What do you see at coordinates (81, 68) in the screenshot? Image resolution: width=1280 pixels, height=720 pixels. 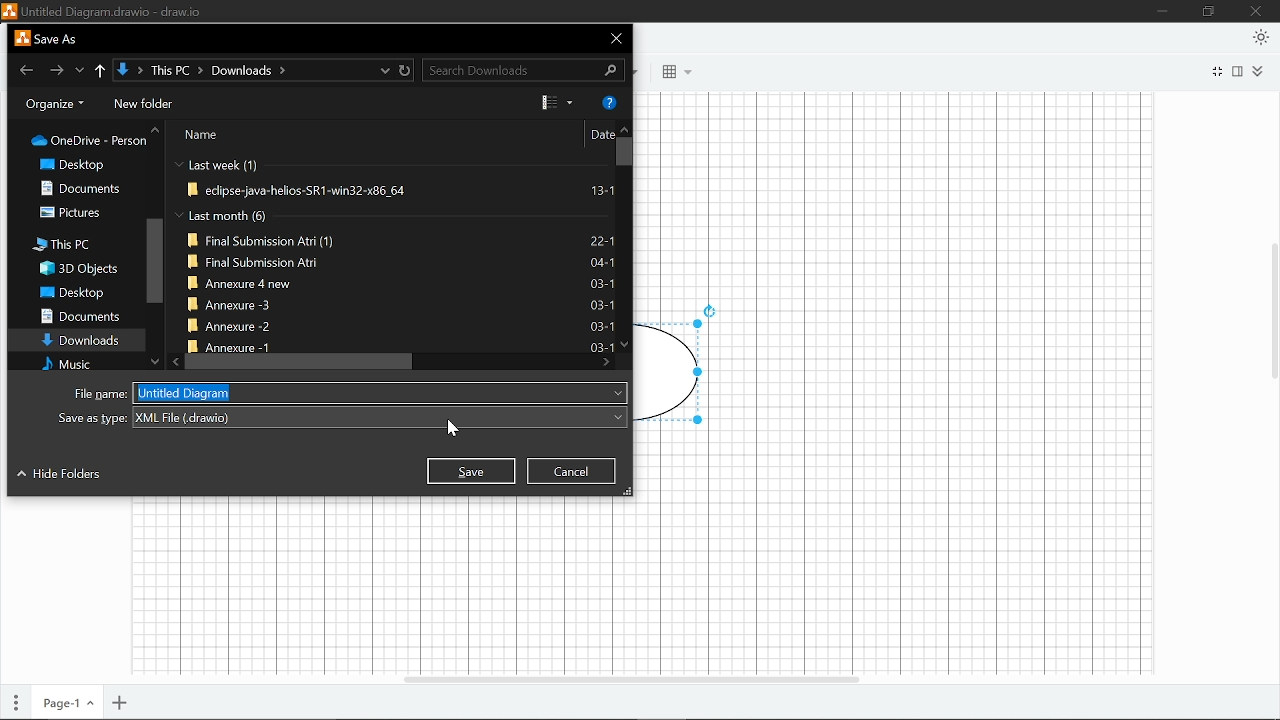 I see `Previous locations` at bounding box center [81, 68].